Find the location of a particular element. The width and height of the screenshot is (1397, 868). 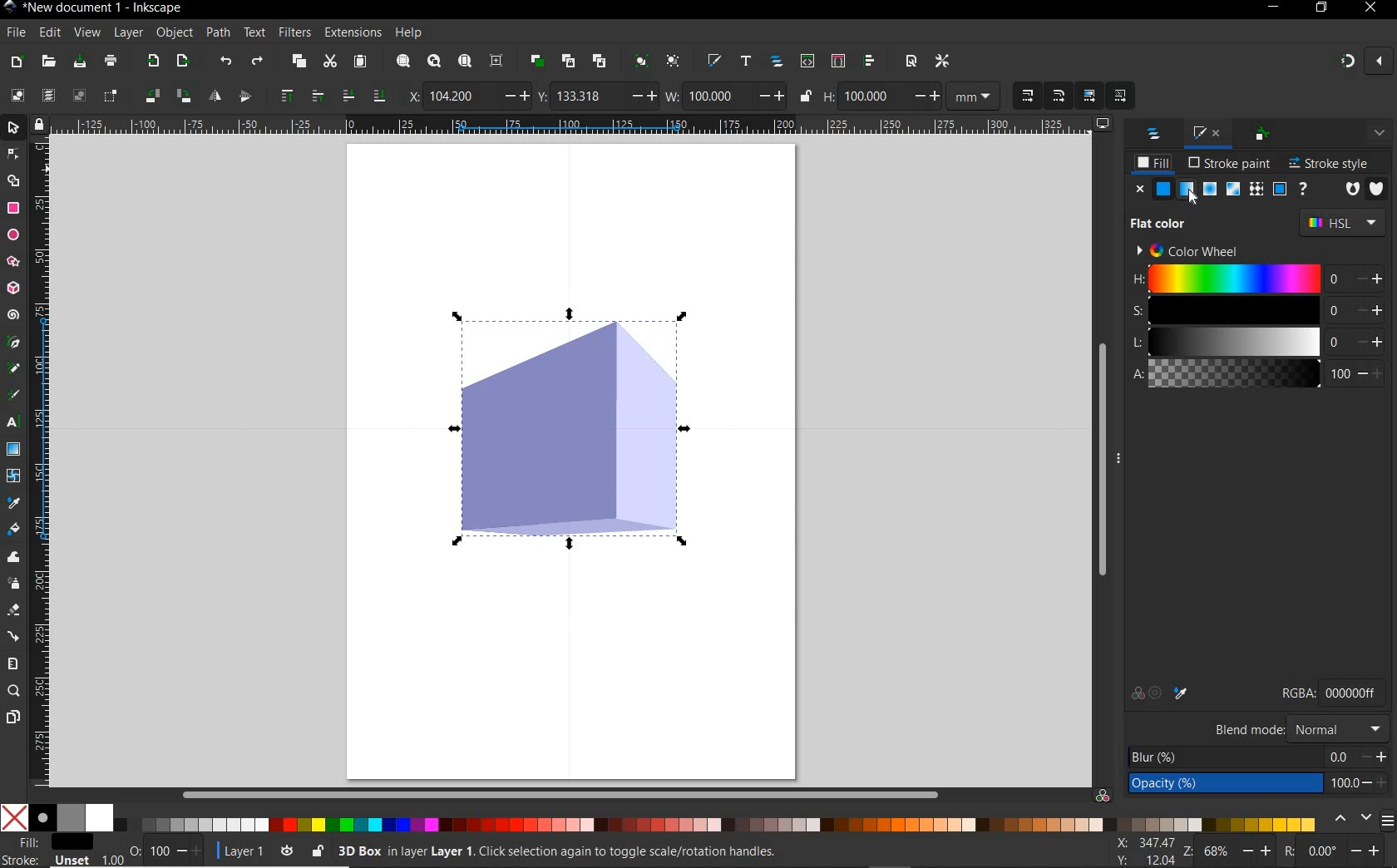

ROTATION is located at coordinates (1287, 851).